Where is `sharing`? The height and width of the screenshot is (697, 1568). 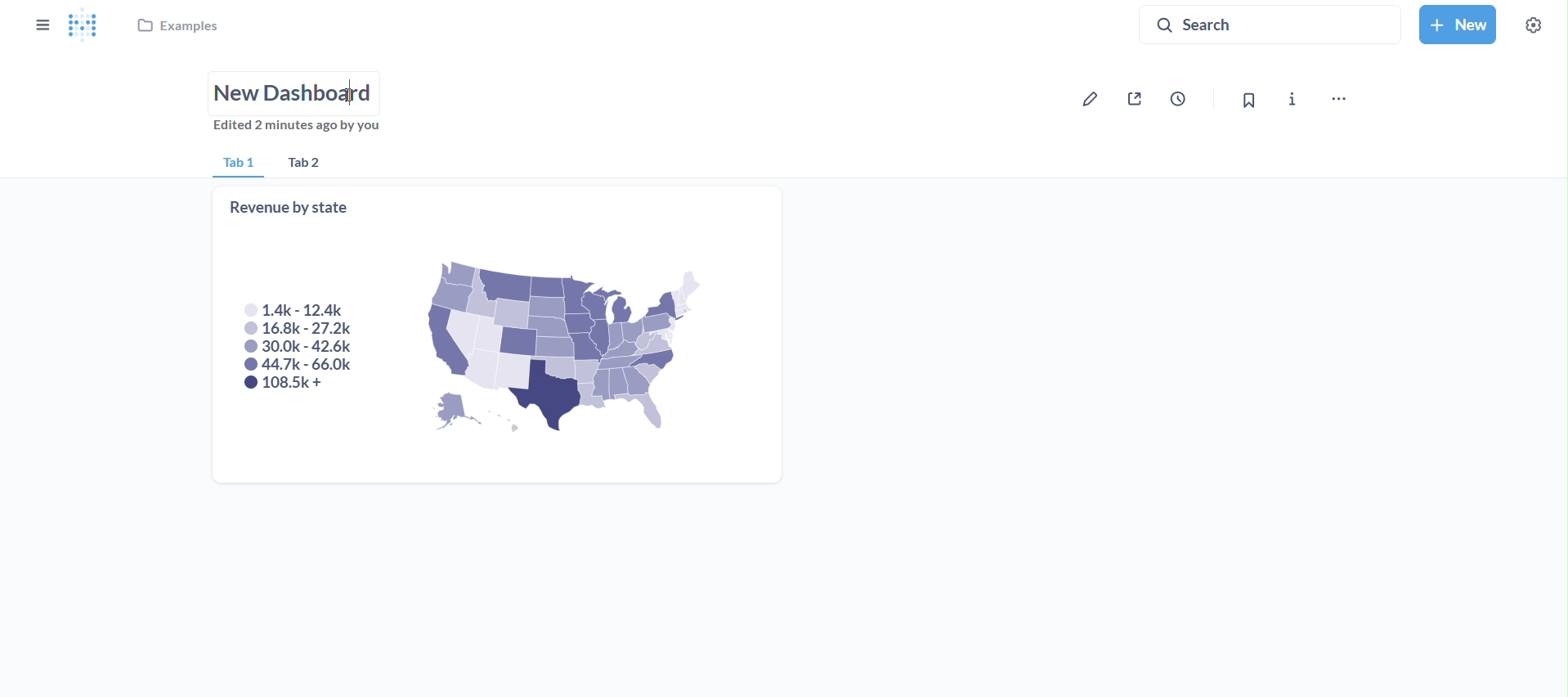 sharing is located at coordinates (1139, 99).